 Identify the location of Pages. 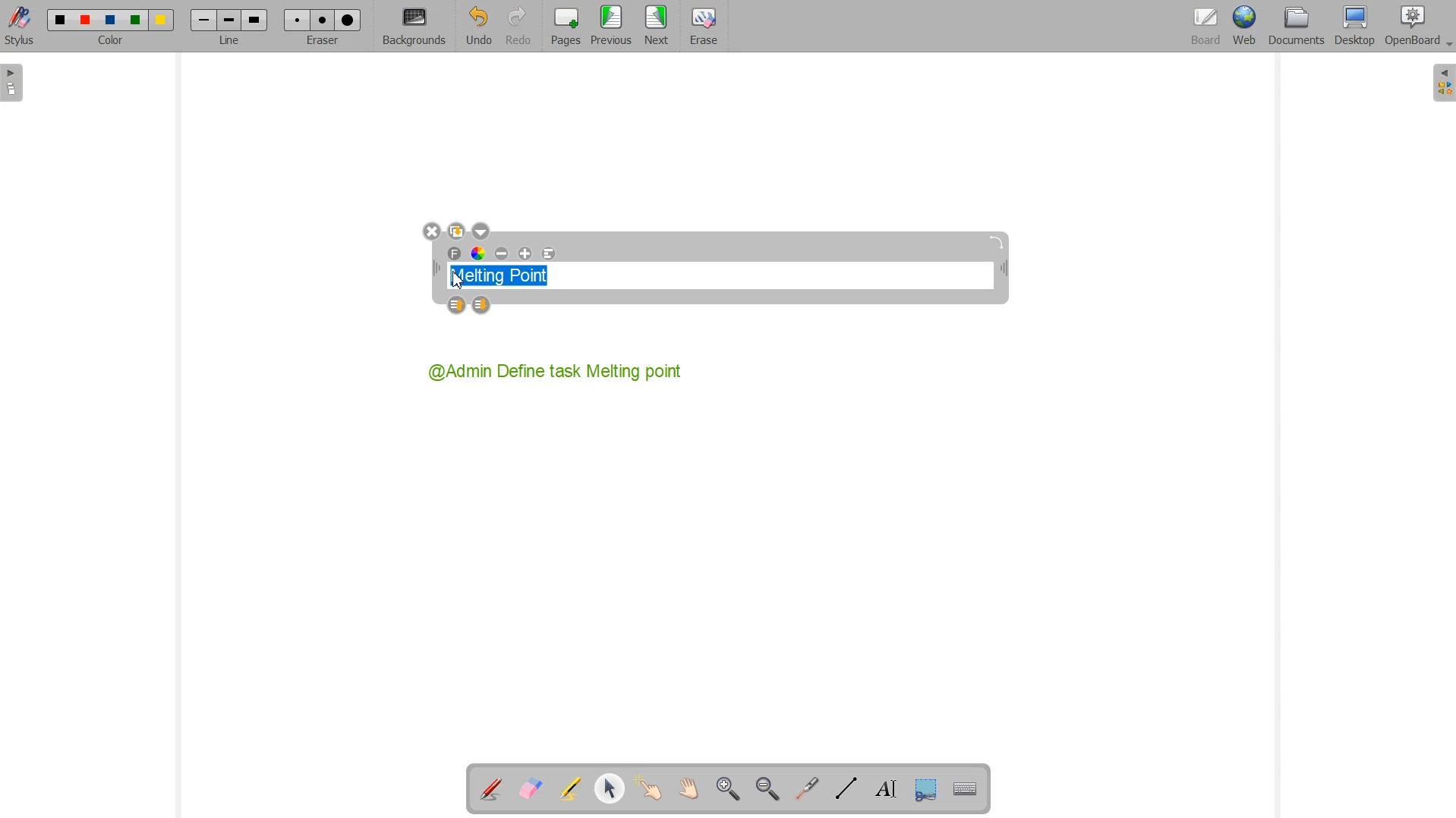
(563, 27).